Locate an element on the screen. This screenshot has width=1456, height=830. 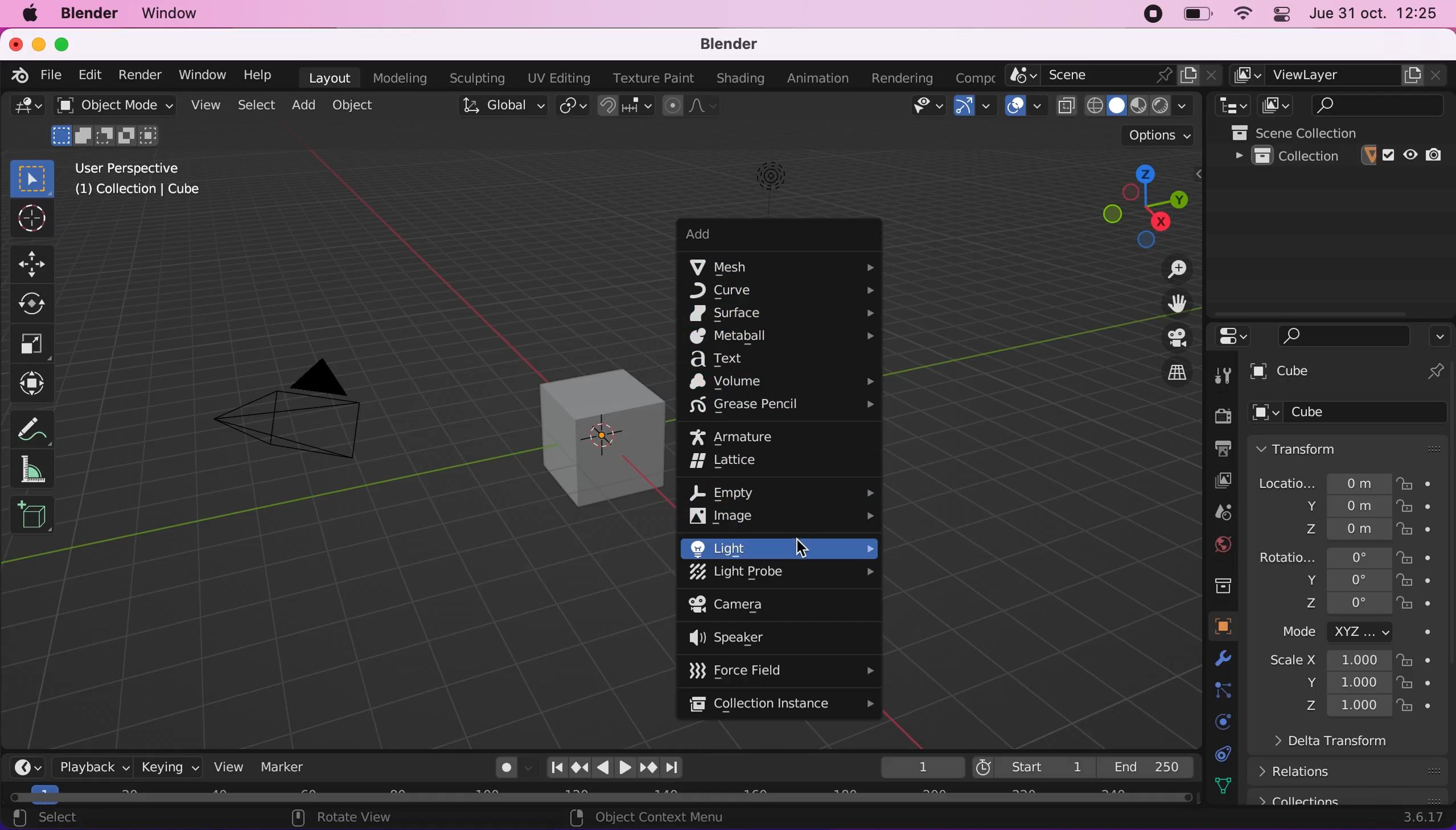
toggle x ray is located at coordinates (1066, 105).